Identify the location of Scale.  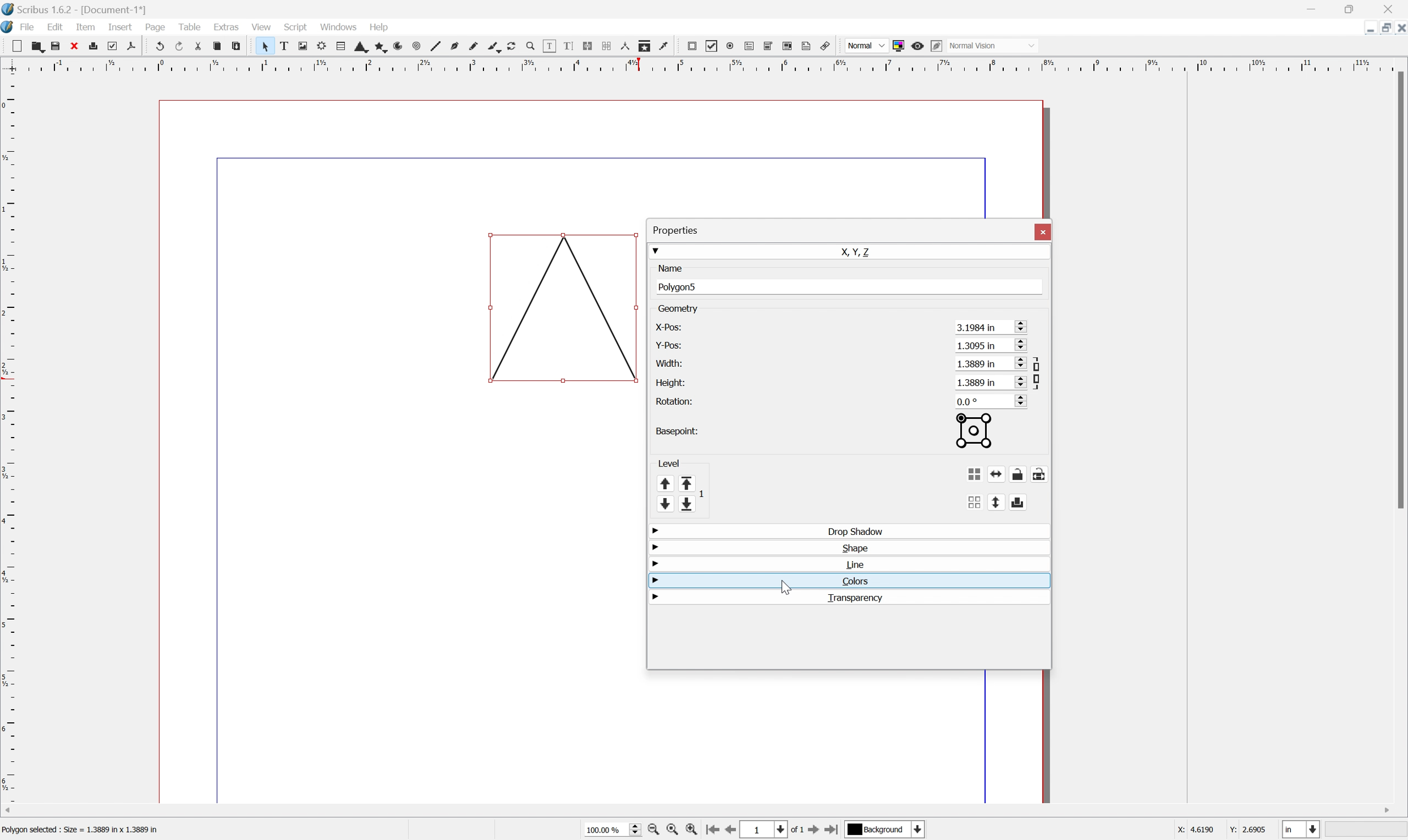
(703, 63).